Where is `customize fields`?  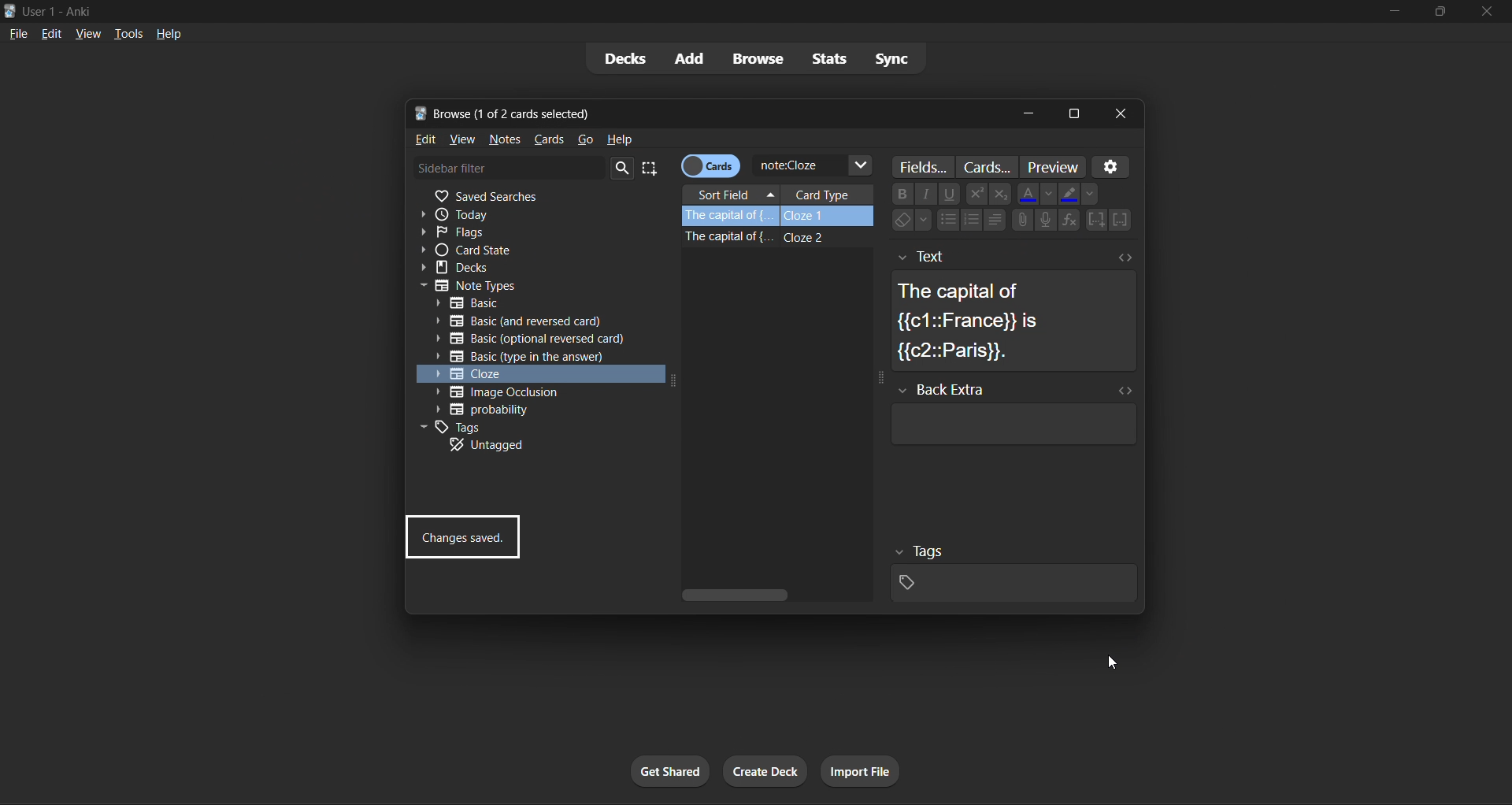 customize fields is located at coordinates (926, 168).